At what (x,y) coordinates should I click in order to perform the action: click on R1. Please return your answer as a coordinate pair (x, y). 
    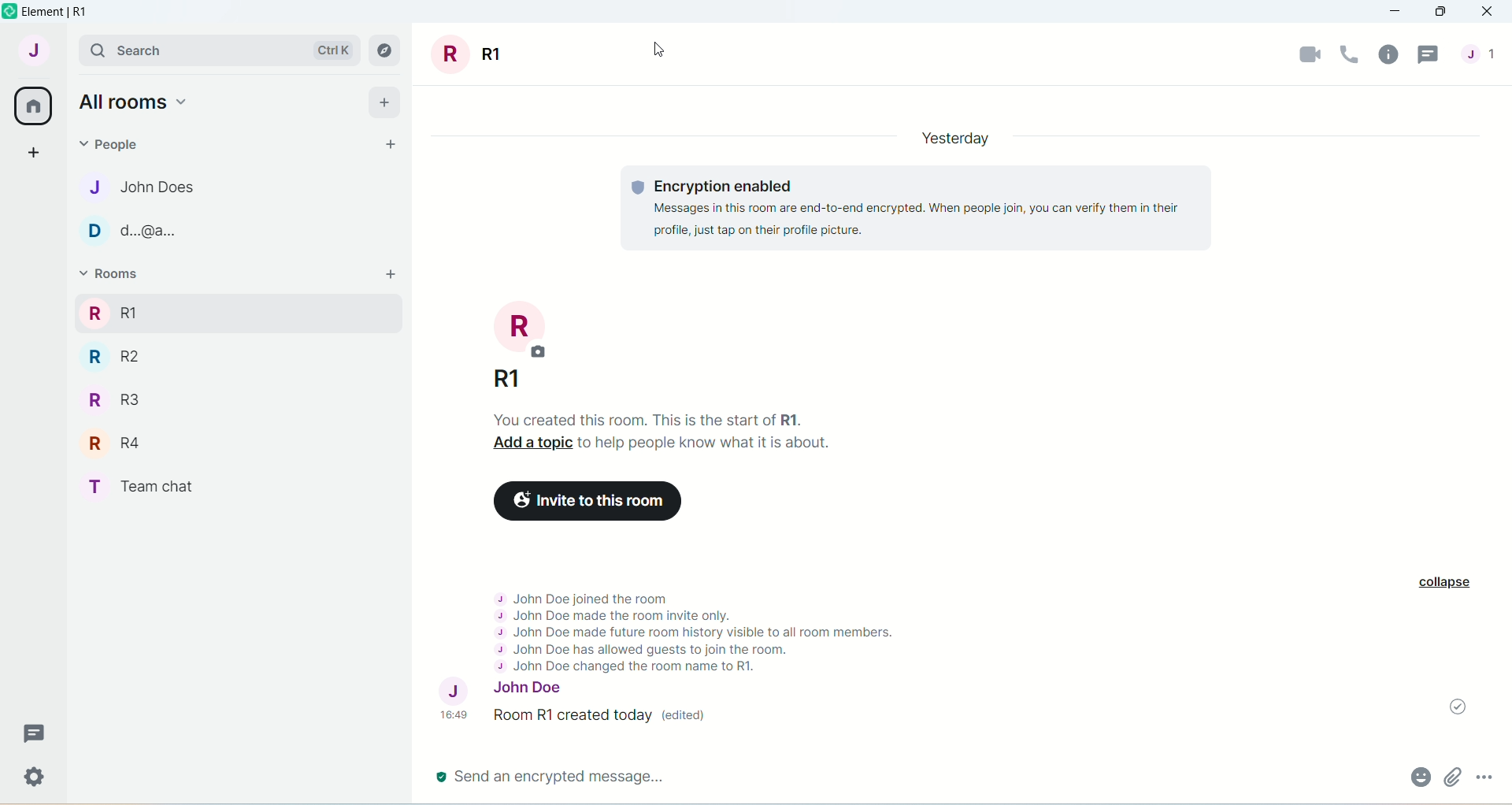
    Looking at the image, I should click on (241, 315).